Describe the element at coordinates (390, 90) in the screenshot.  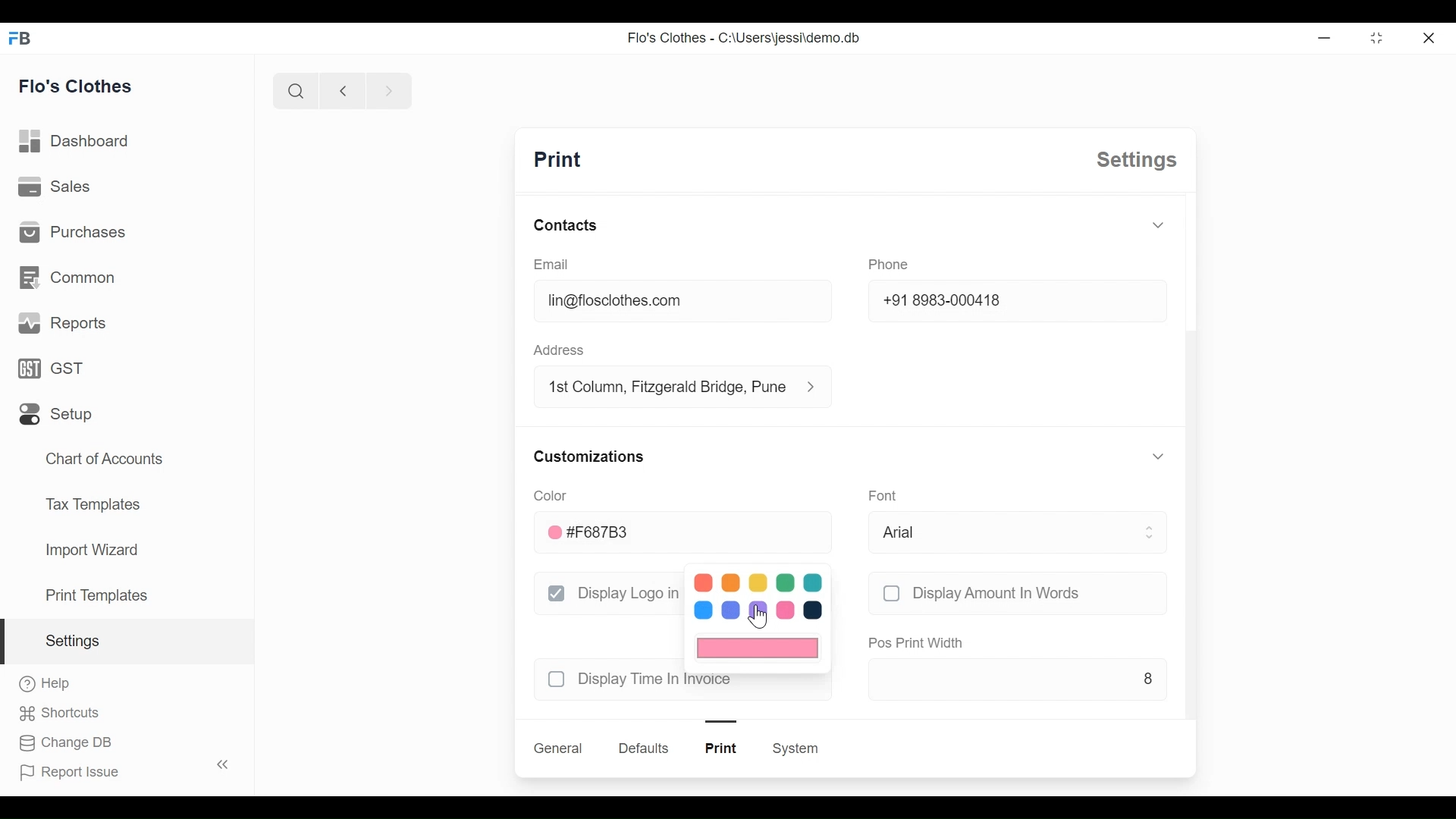
I see `next` at that location.